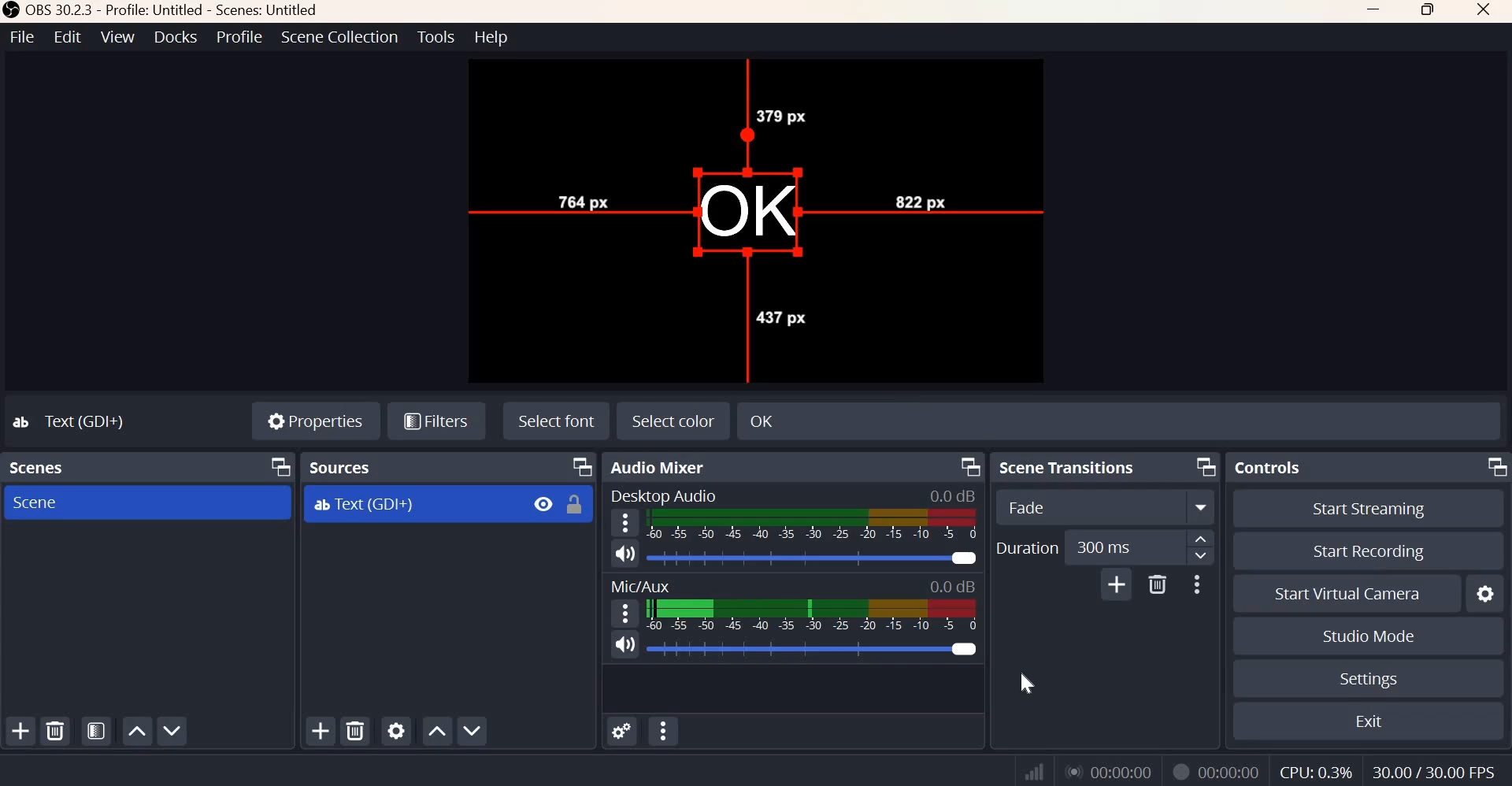 This screenshot has width=1512, height=786. I want to click on hamburger menu, so click(622, 523).